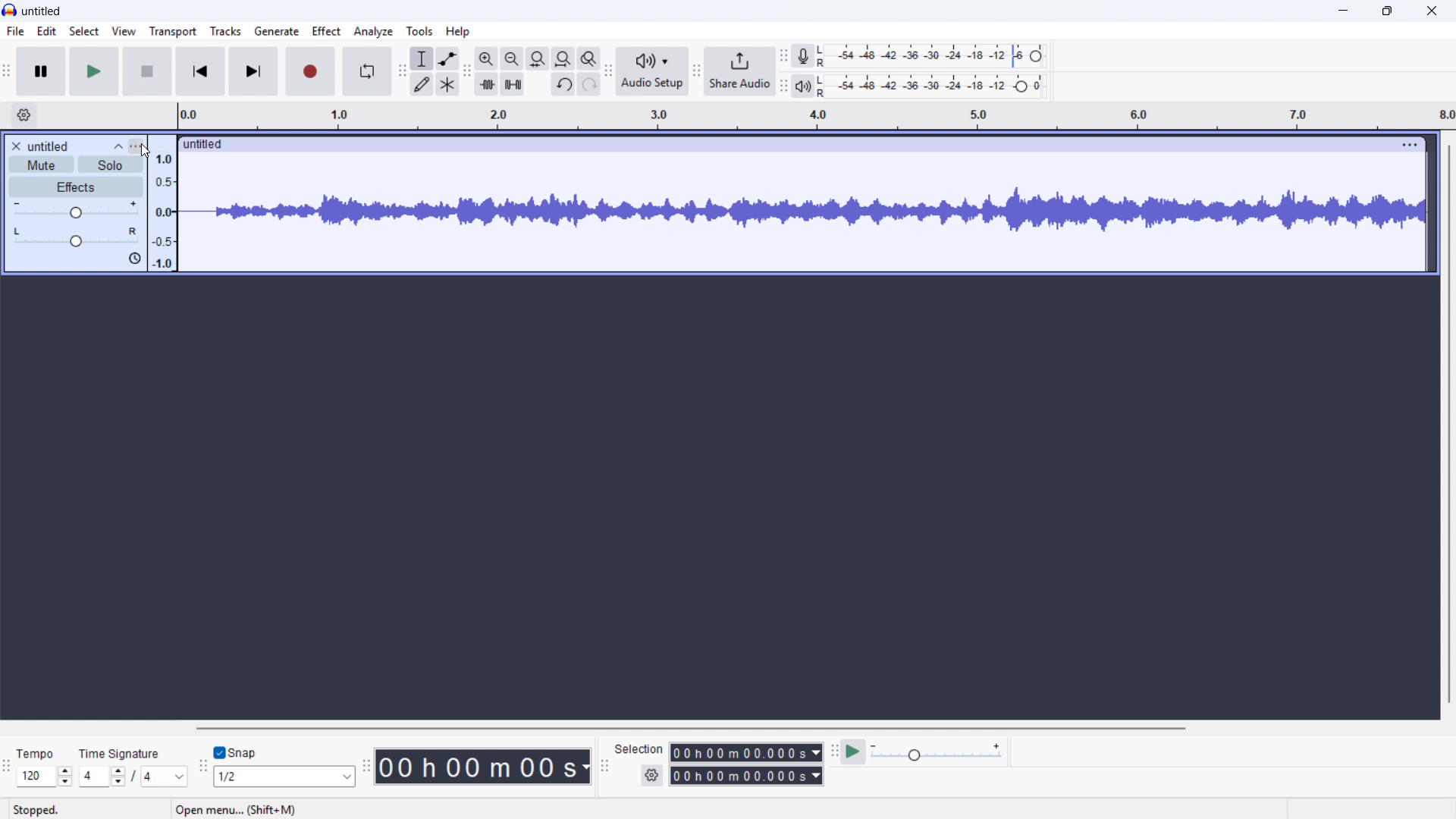 The width and height of the screenshot is (1456, 819). Describe the element at coordinates (310, 71) in the screenshot. I see `Record ` at that location.